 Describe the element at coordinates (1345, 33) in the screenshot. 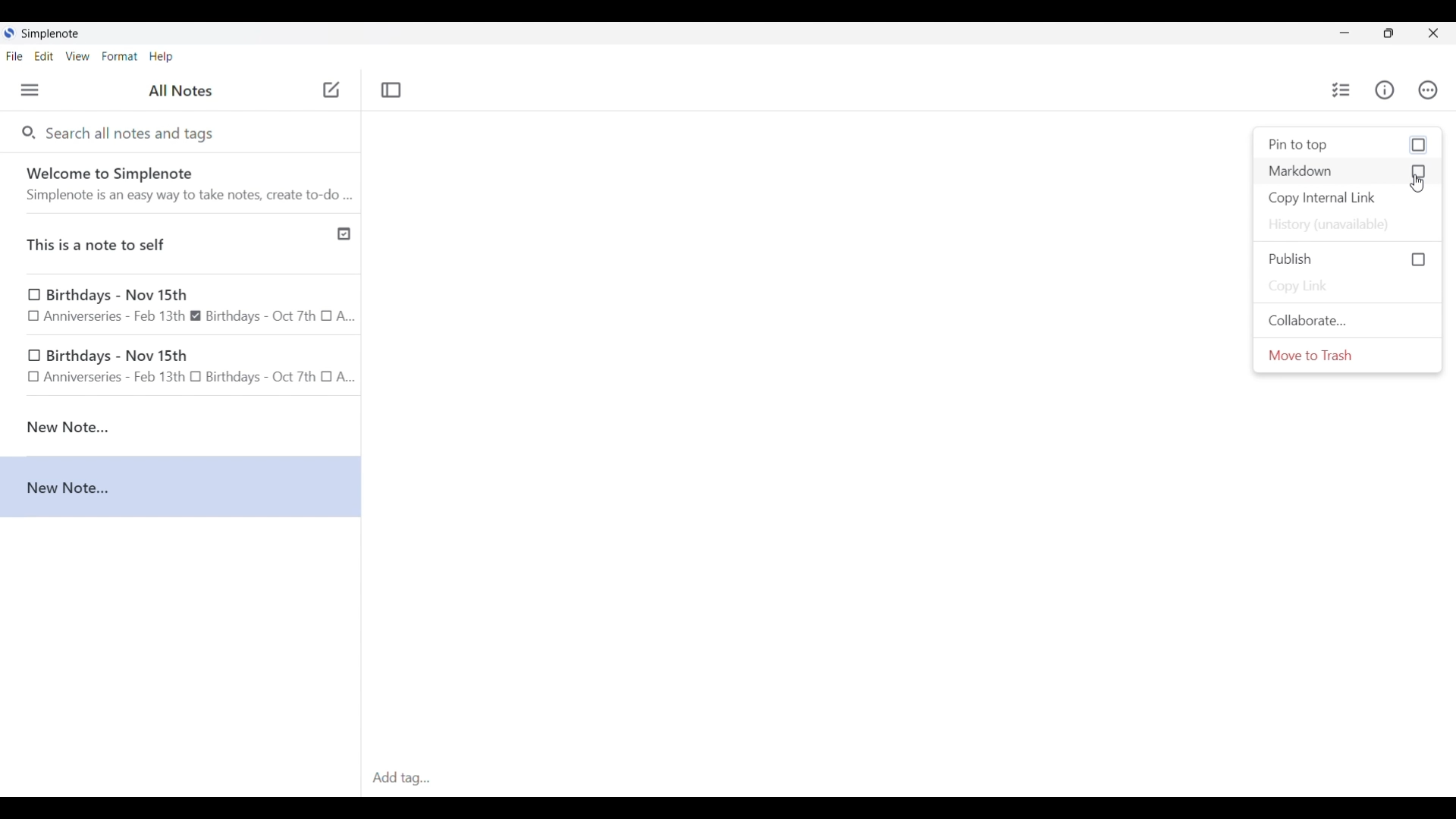

I see `Minimize` at that location.